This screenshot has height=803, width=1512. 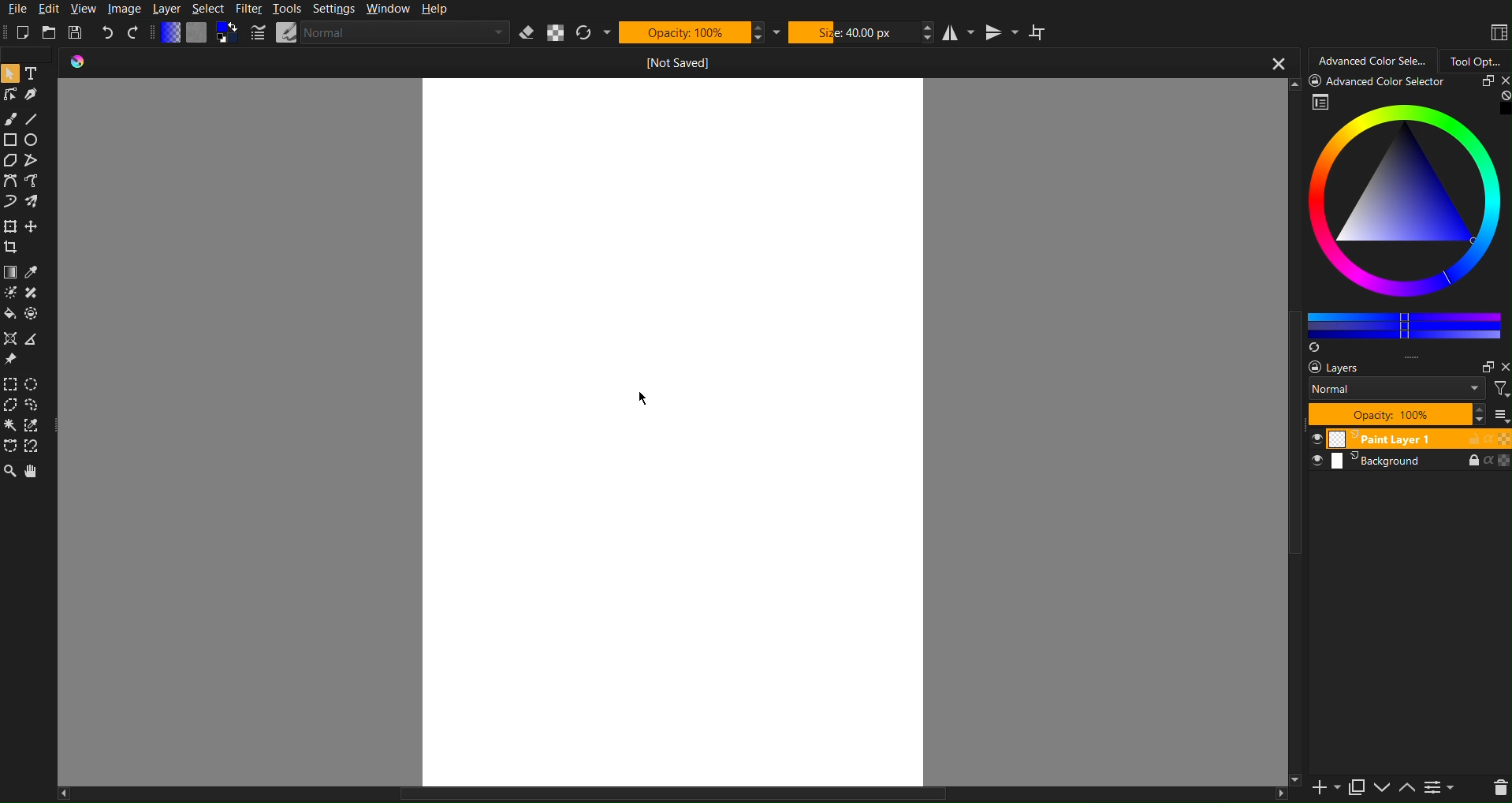 What do you see at coordinates (1502, 95) in the screenshot?
I see `stop` at bounding box center [1502, 95].